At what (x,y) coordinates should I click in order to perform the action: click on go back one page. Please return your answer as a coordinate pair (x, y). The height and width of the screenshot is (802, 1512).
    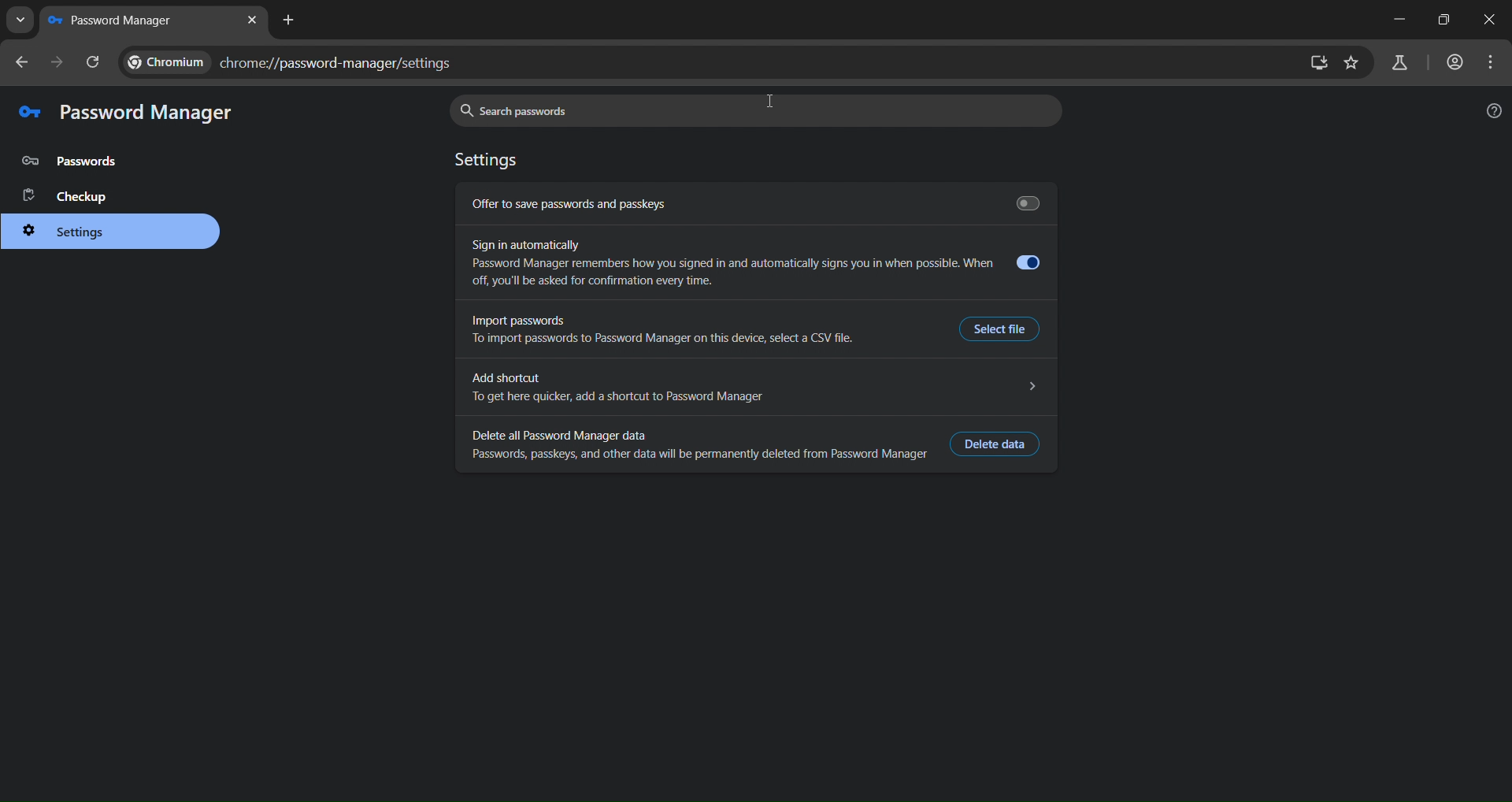
    Looking at the image, I should click on (21, 66).